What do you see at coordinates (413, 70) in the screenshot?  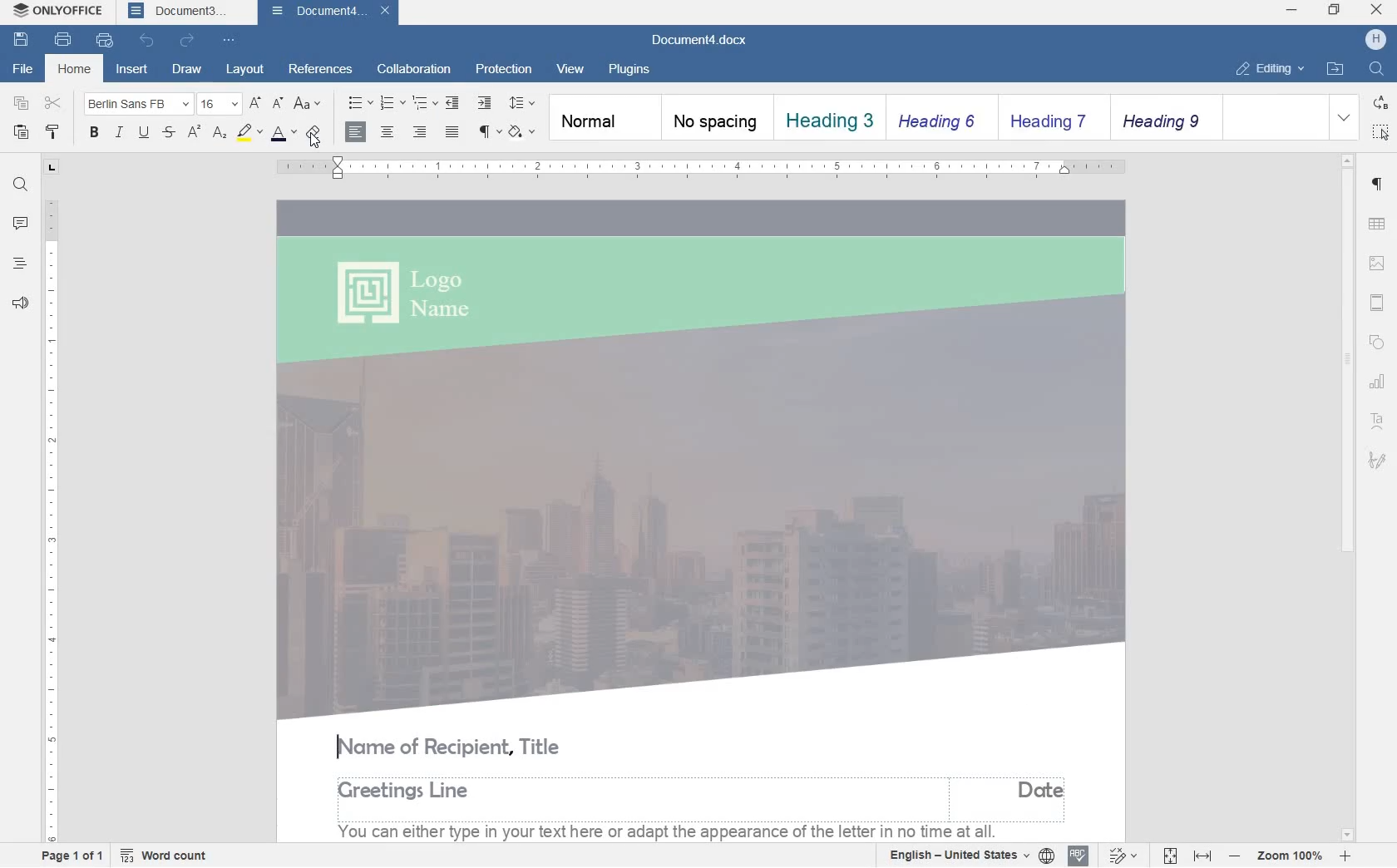 I see `collaboration` at bounding box center [413, 70].